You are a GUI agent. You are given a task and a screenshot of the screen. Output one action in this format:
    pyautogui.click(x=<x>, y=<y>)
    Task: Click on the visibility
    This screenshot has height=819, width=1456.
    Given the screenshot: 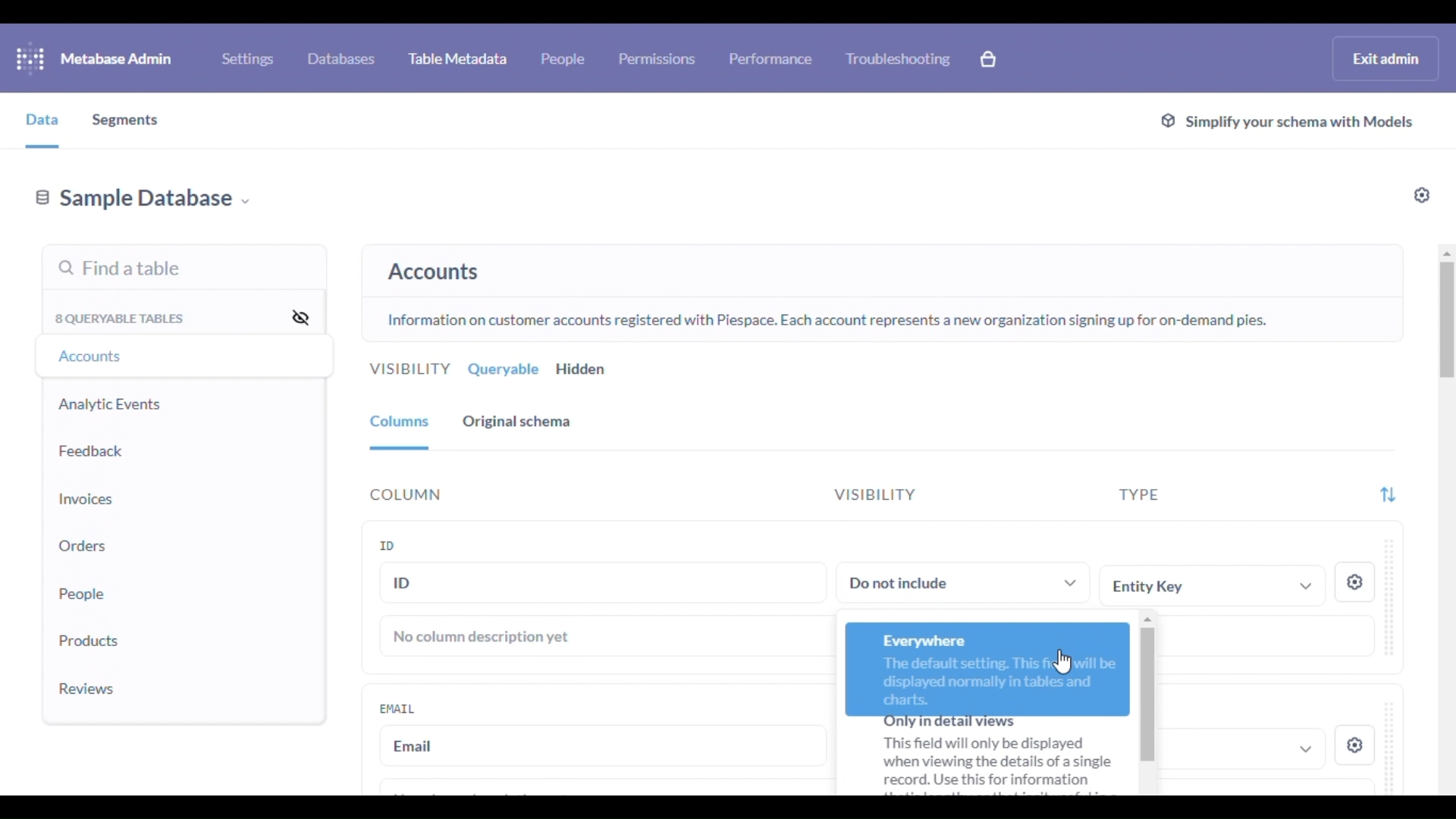 What is the action you would take?
    pyautogui.click(x=874, y=494)
    